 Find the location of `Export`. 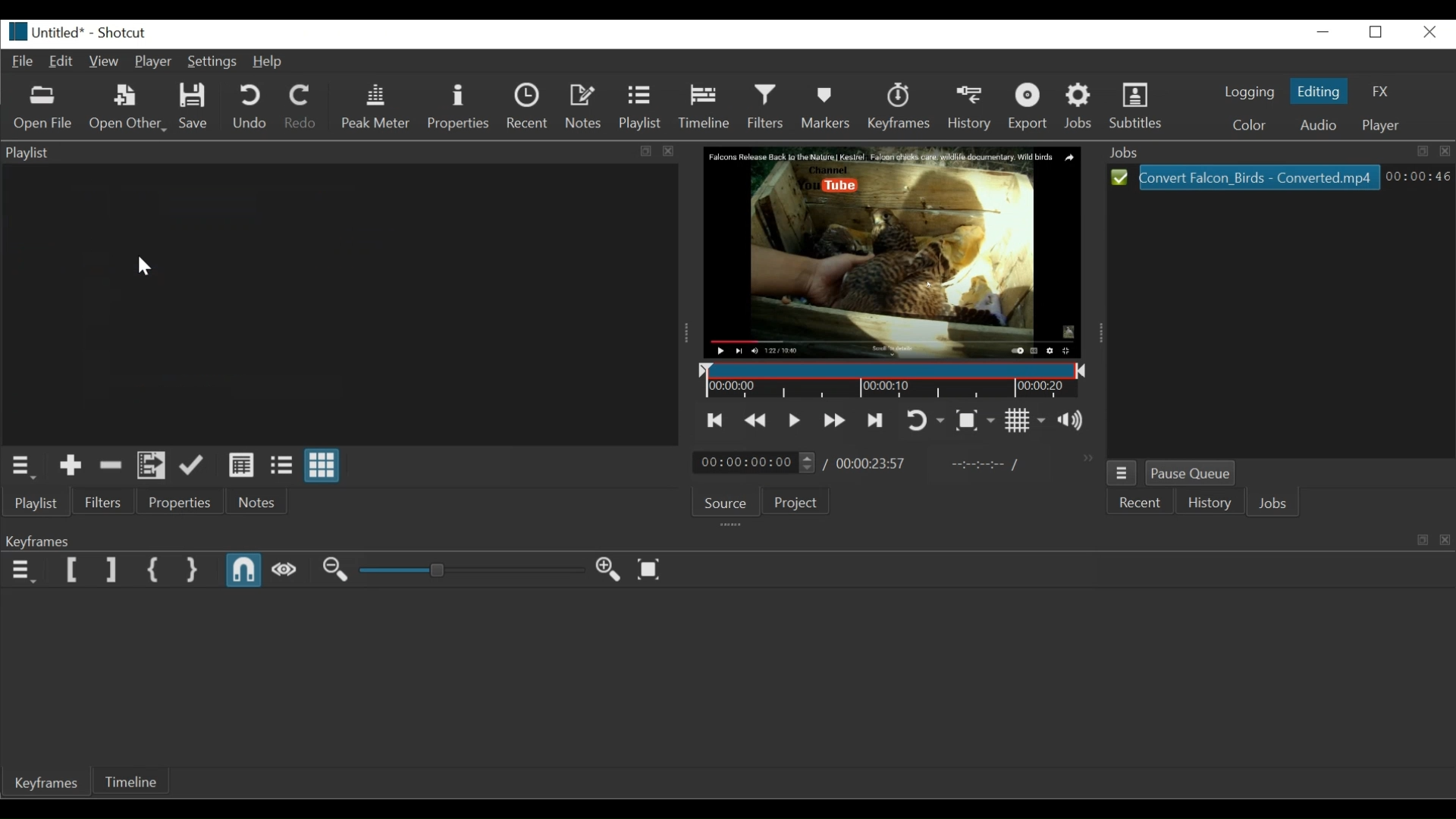

Export is located at coordinates (1030, 107).